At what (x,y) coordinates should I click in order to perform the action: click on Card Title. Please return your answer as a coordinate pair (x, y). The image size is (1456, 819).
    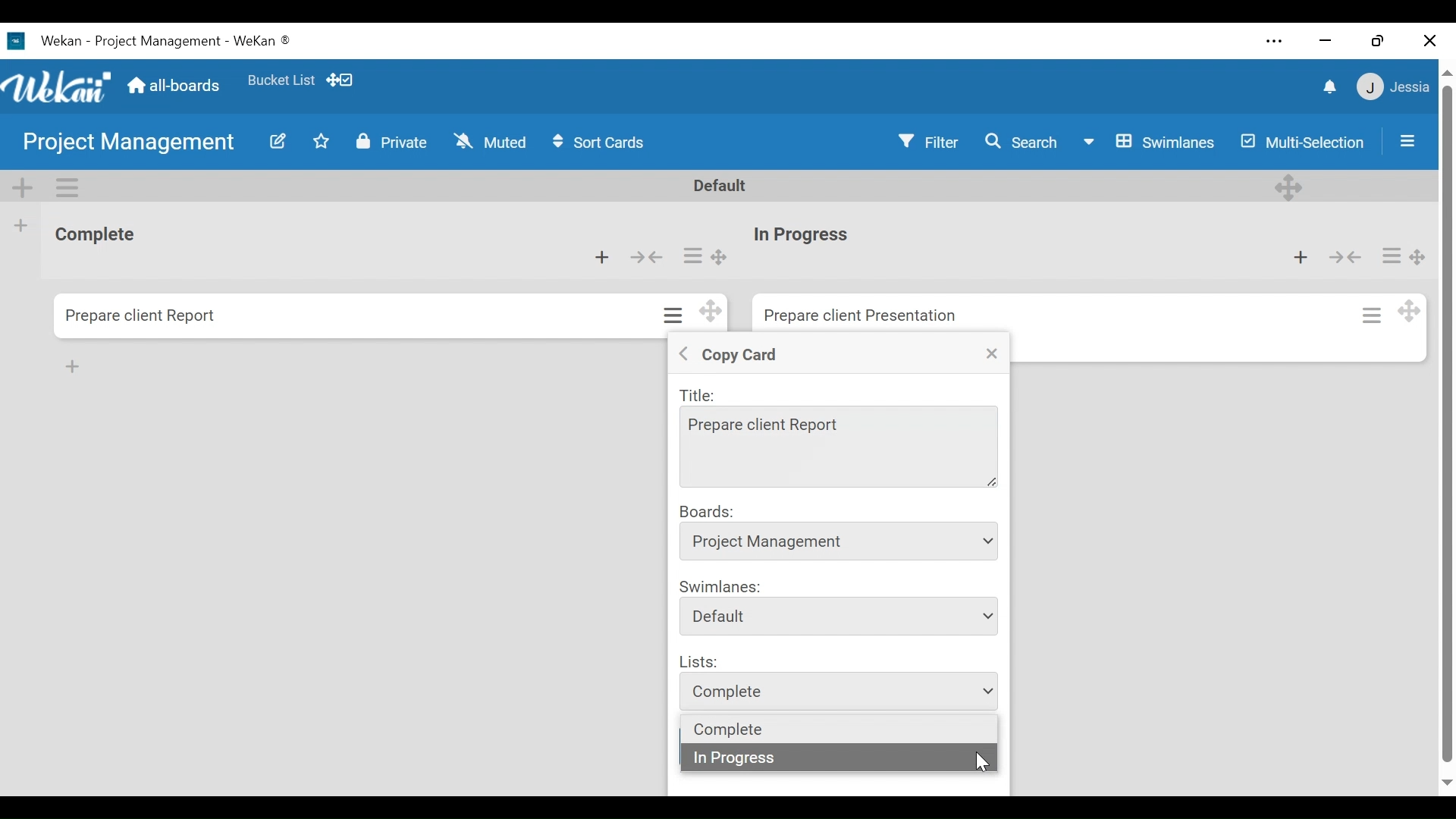
    Looking at the image, I should click on (867, 315).